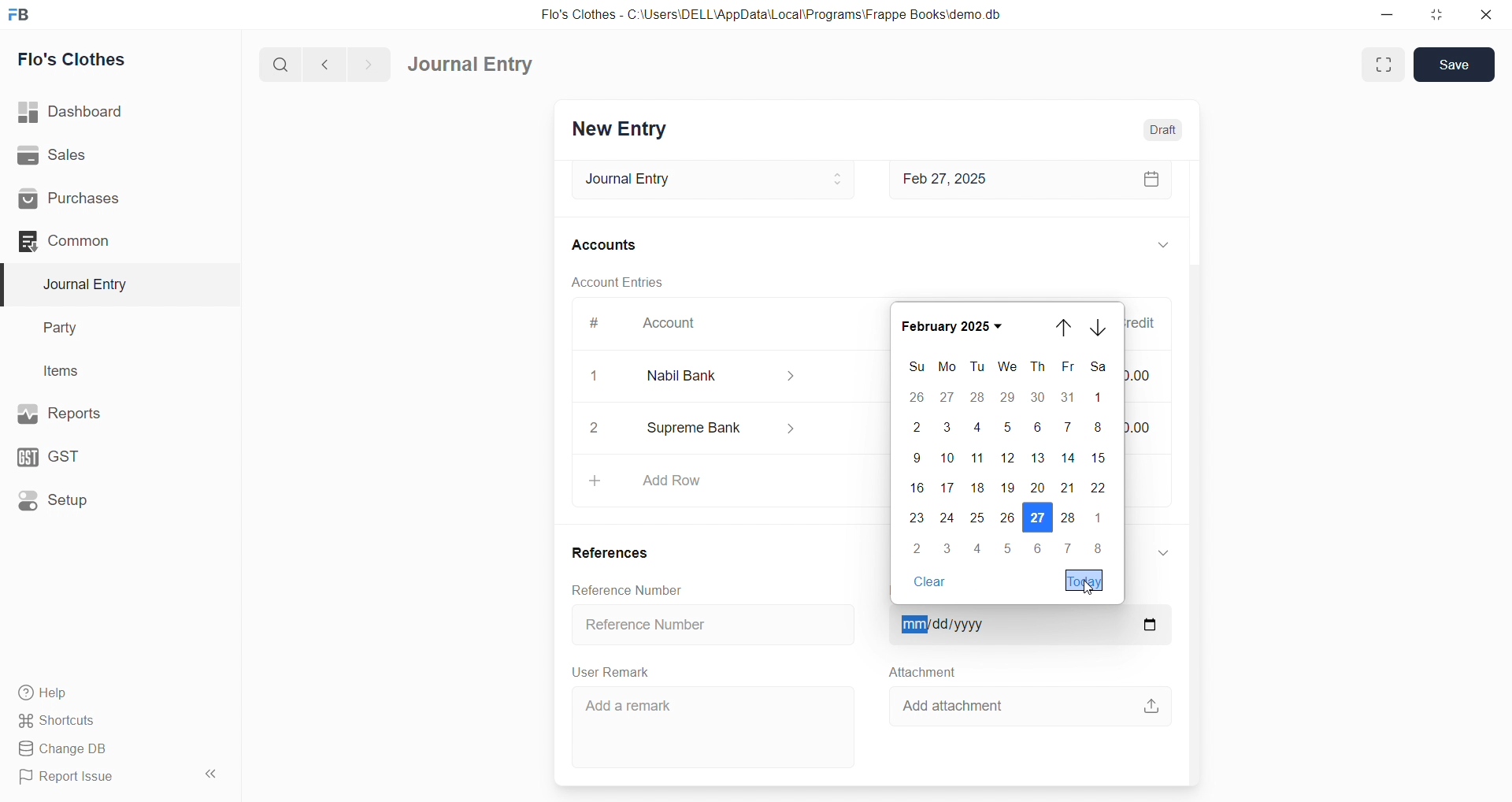 The height and width of the screenshot is (802, 1512). Describe the element at coordinates (1488, 14) in the screenshot. I see `close` at that location.